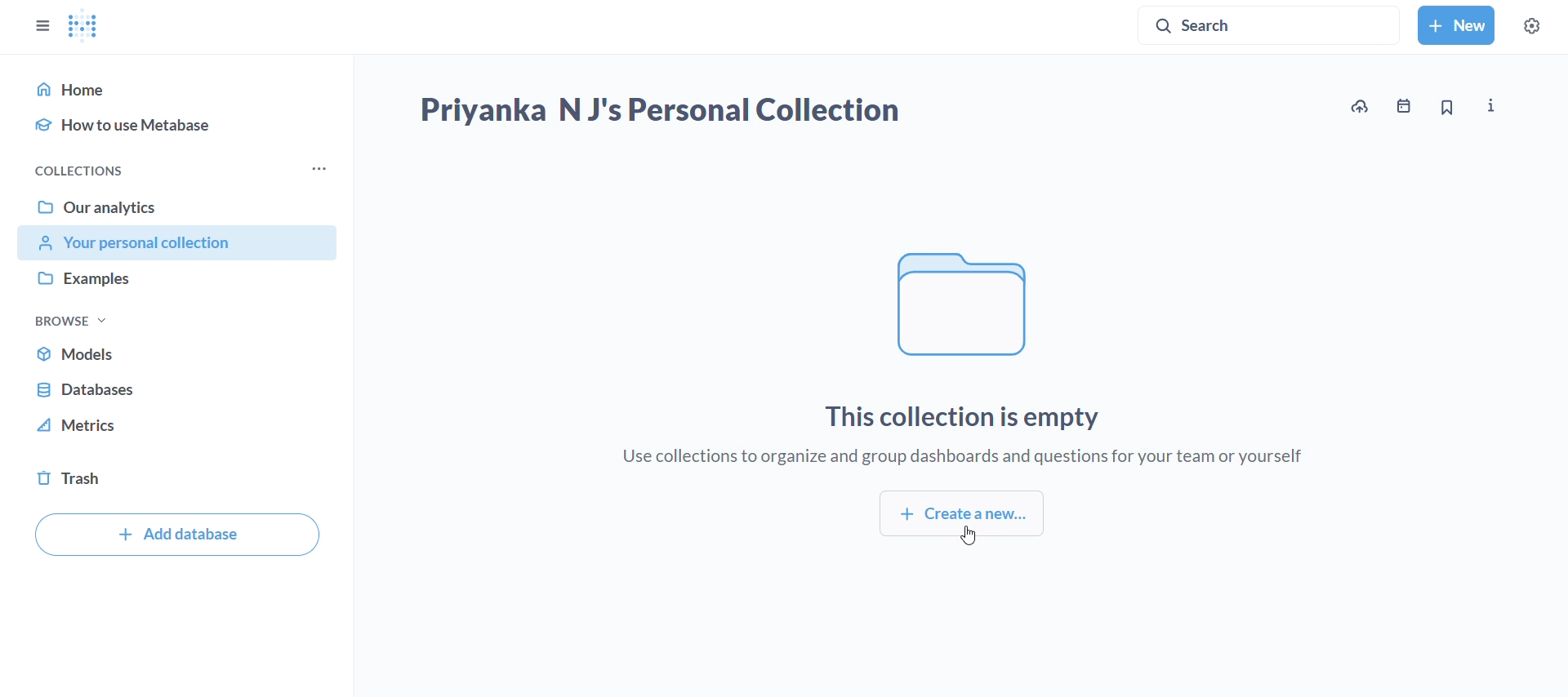 The width and height of the screenshot is (1568, 697). I want to click on upload data to new collecting, so click(1357, 108).